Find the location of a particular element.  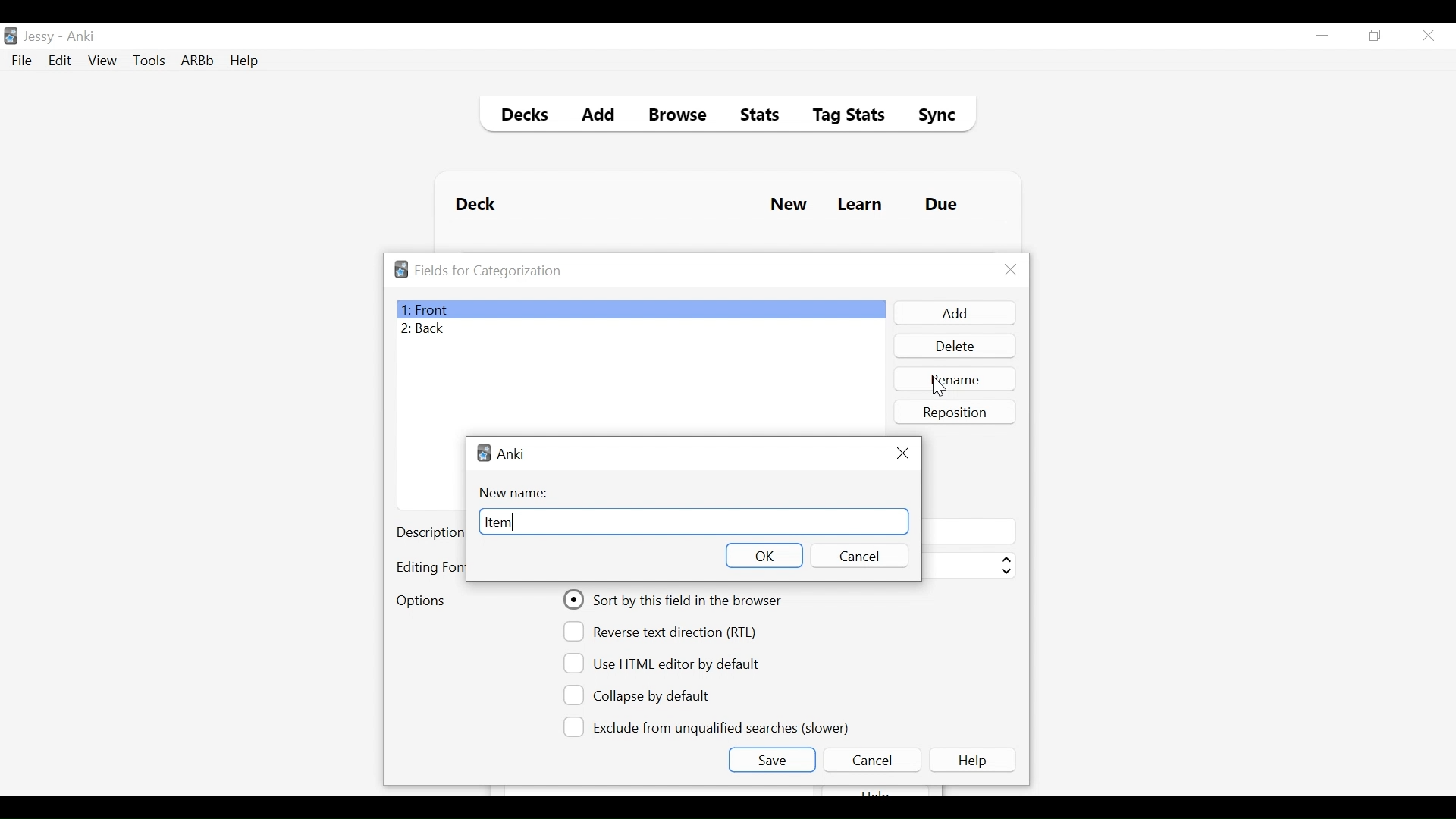

(un)select Use HTML editor by default is located at coordinates (666, 663).